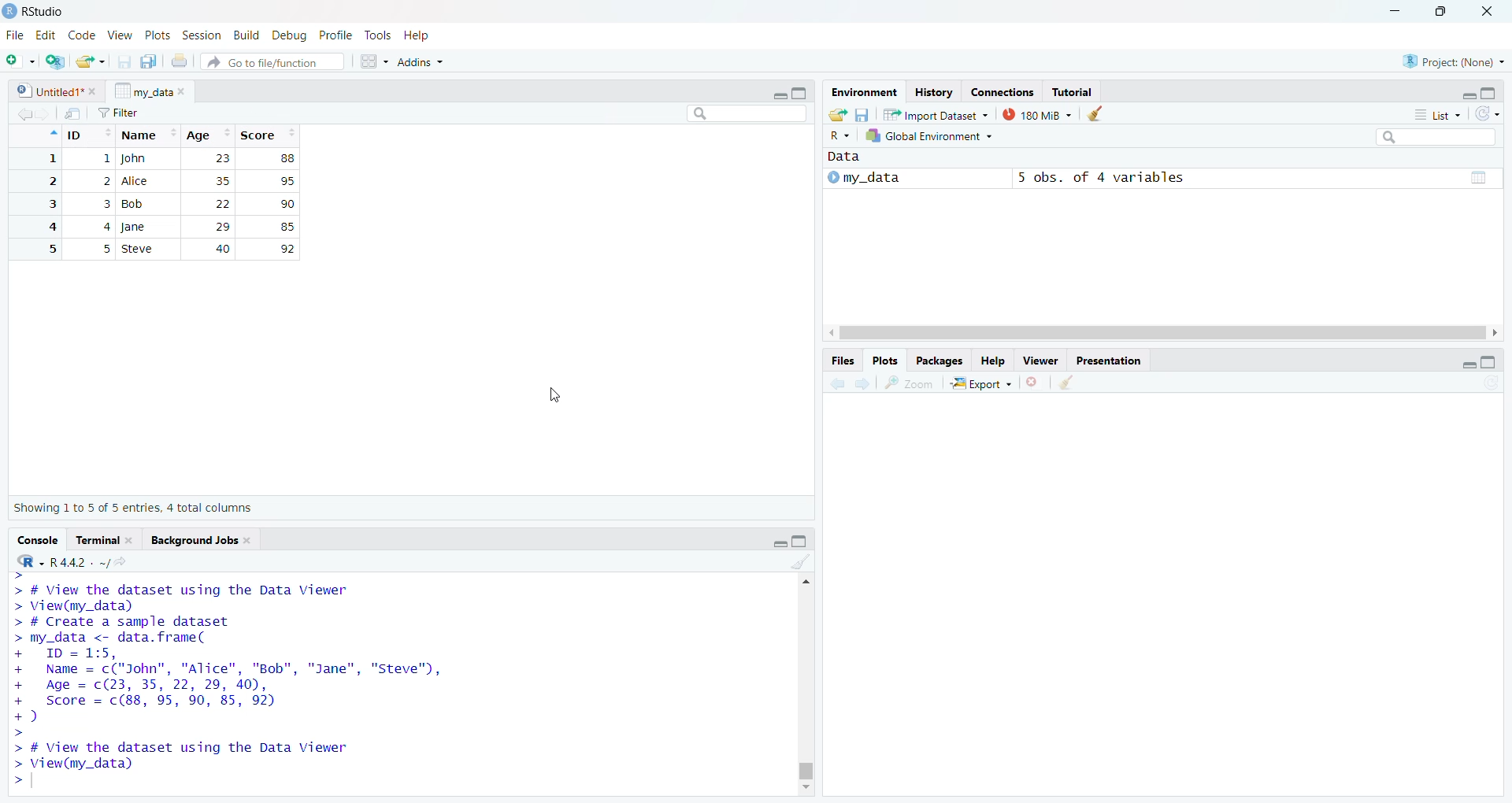 The image size is (1512, 803). What do you see at coordinates (270, 135) in the screenshot?
I see `Score` at bounding box center [270, 135].